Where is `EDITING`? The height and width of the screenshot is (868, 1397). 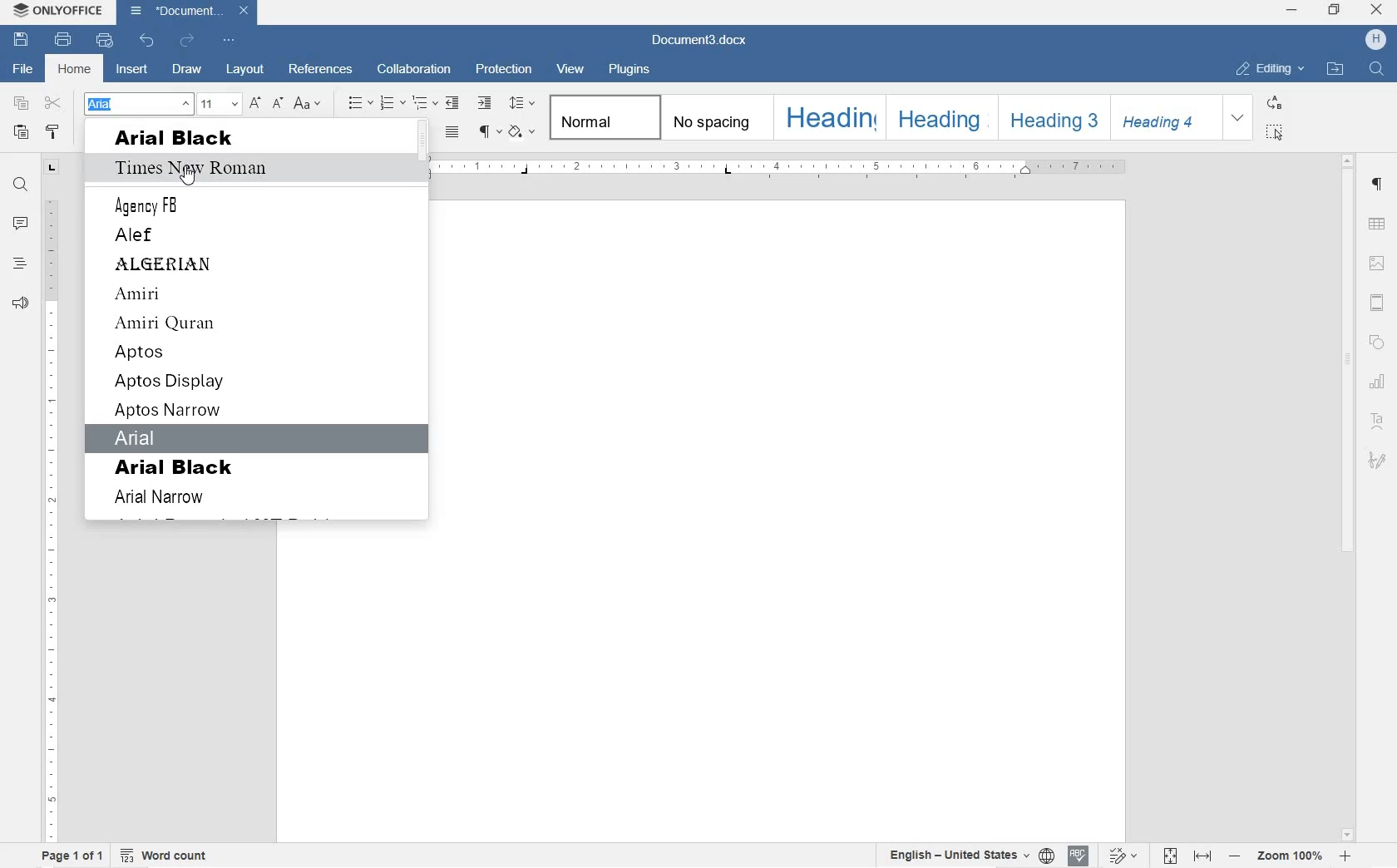 EDITING is located at coordinates (1270, 70).